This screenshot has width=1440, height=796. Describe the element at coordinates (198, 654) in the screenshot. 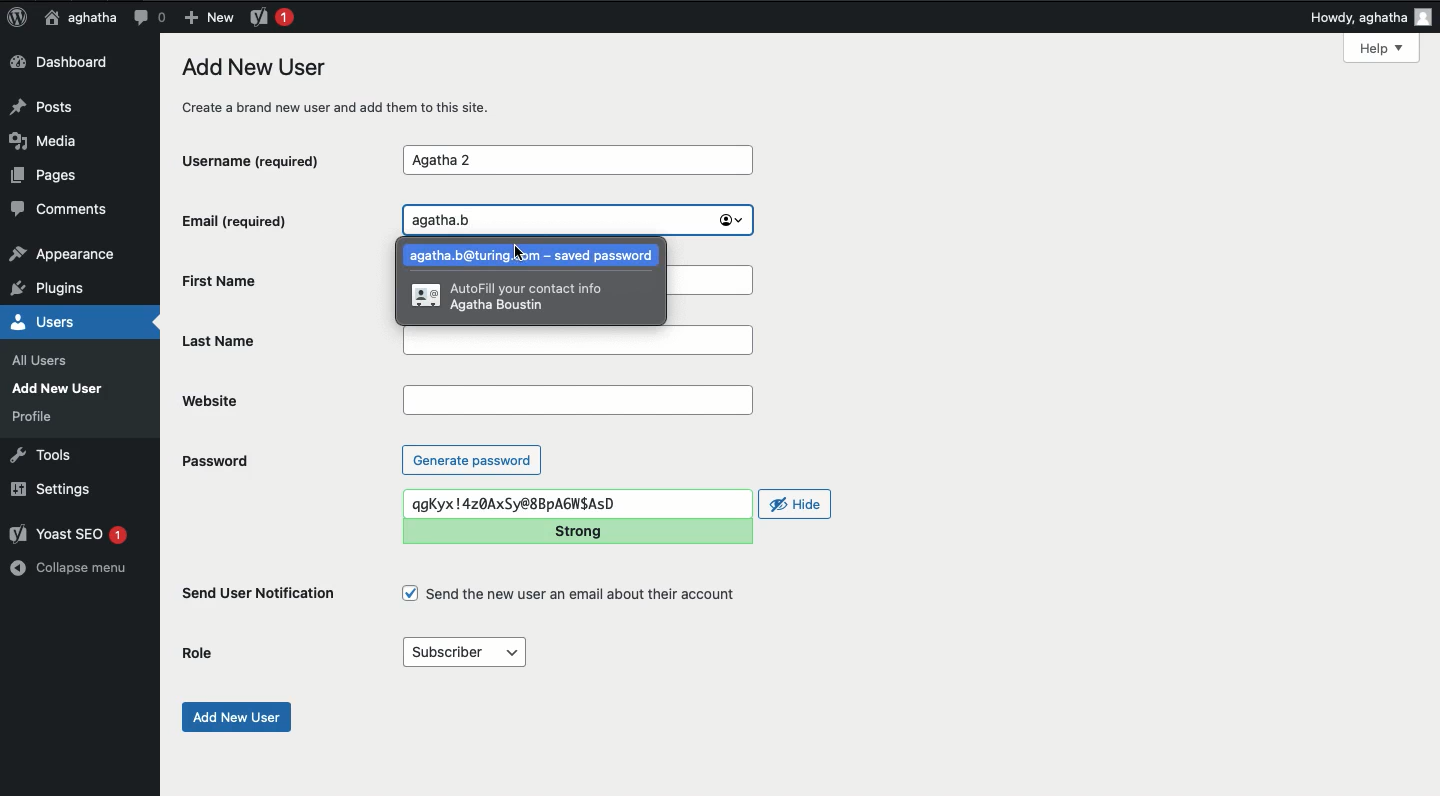

I see `Role` at that location.